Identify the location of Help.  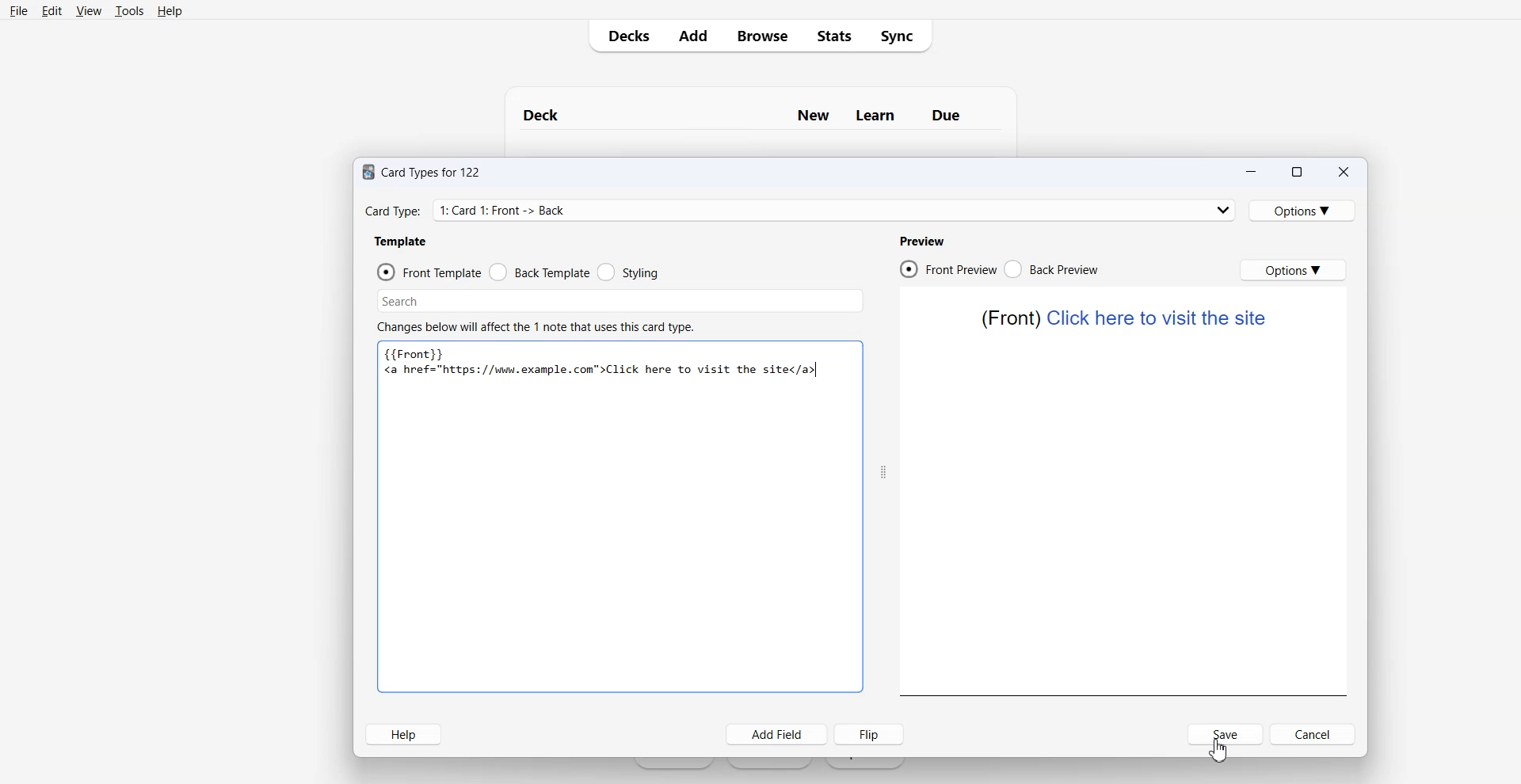
(403, 734).